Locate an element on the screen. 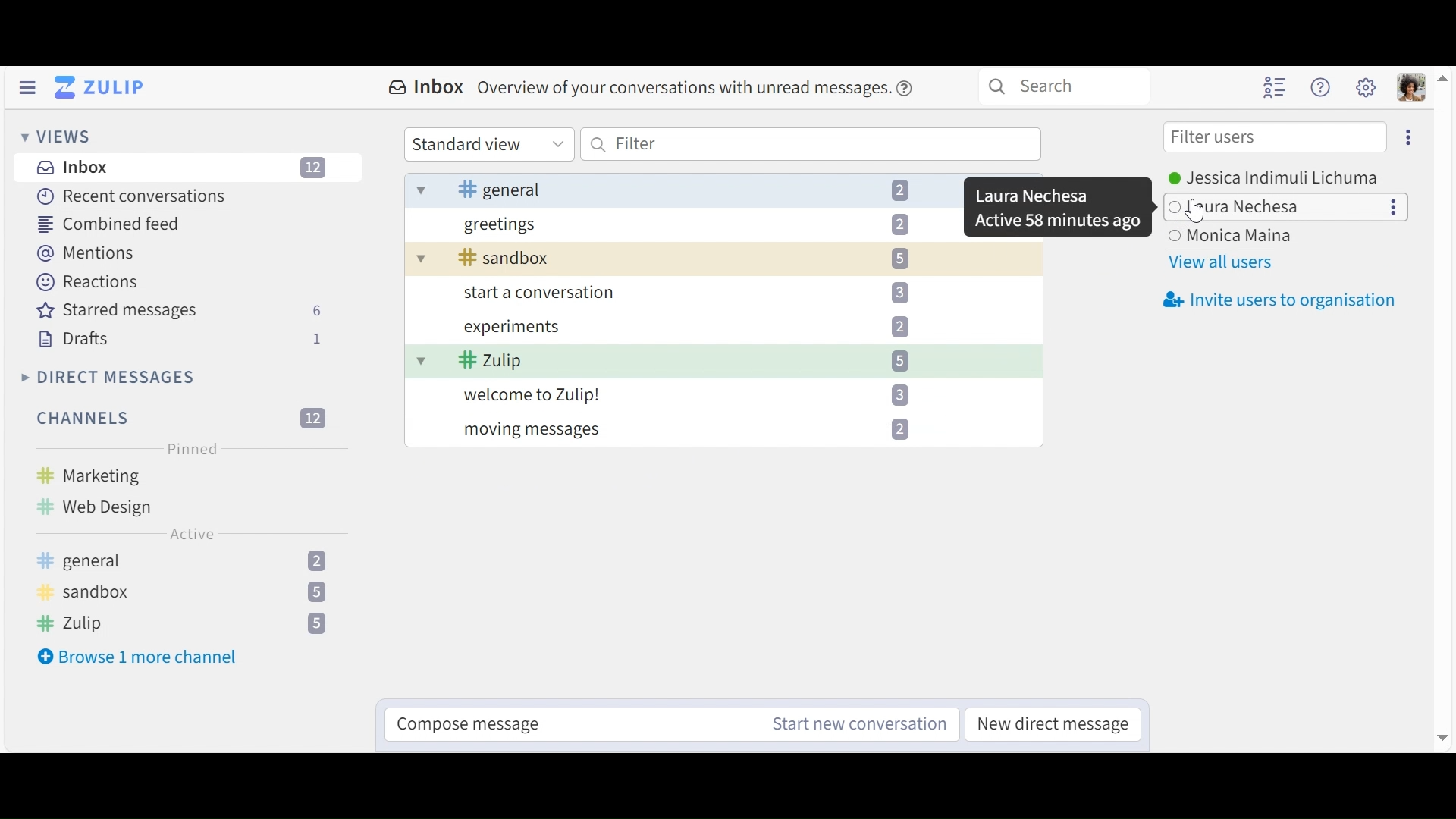  Compose message is located at coordinates (478, 727).